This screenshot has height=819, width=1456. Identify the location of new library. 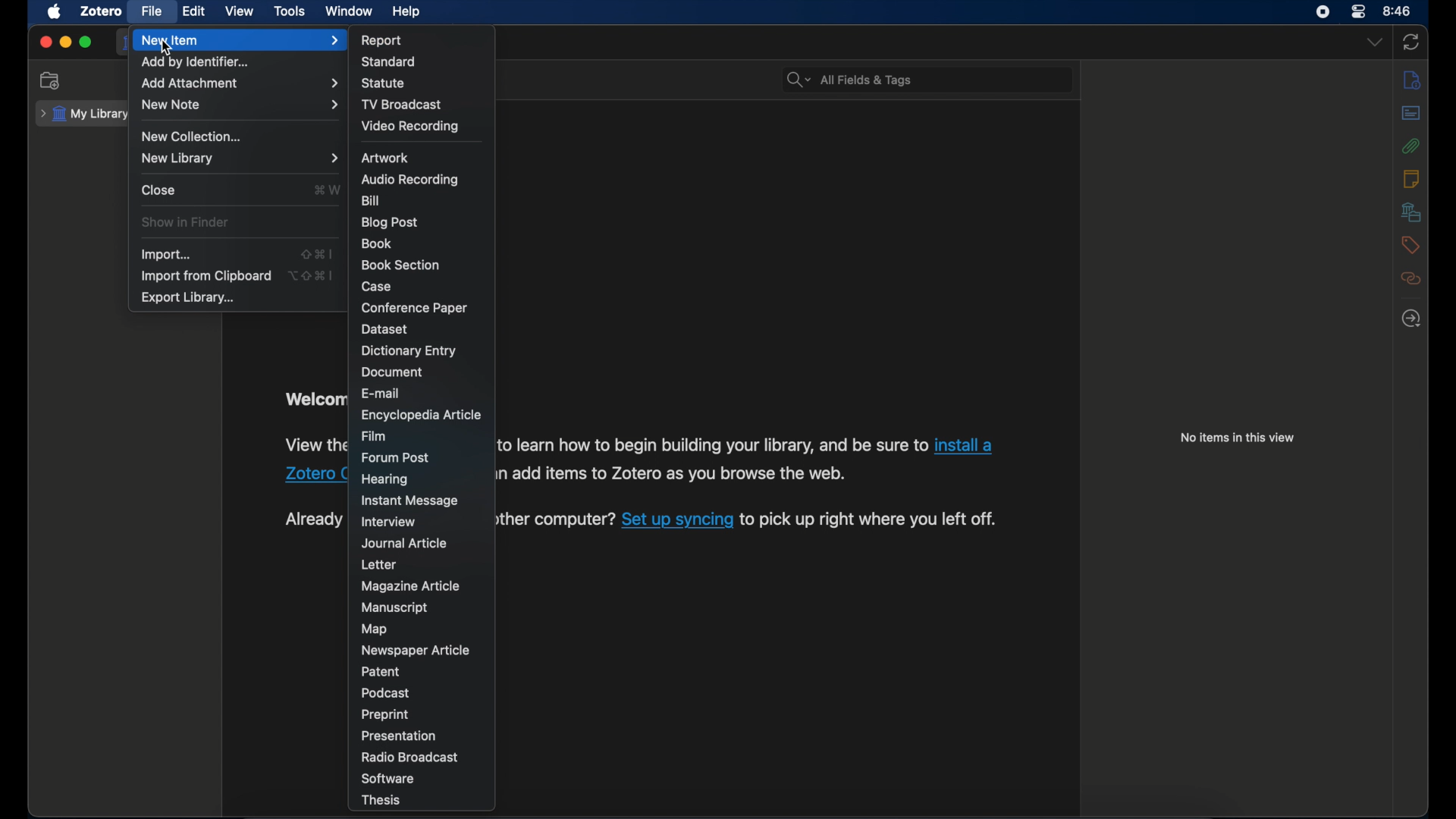
(240, 158).